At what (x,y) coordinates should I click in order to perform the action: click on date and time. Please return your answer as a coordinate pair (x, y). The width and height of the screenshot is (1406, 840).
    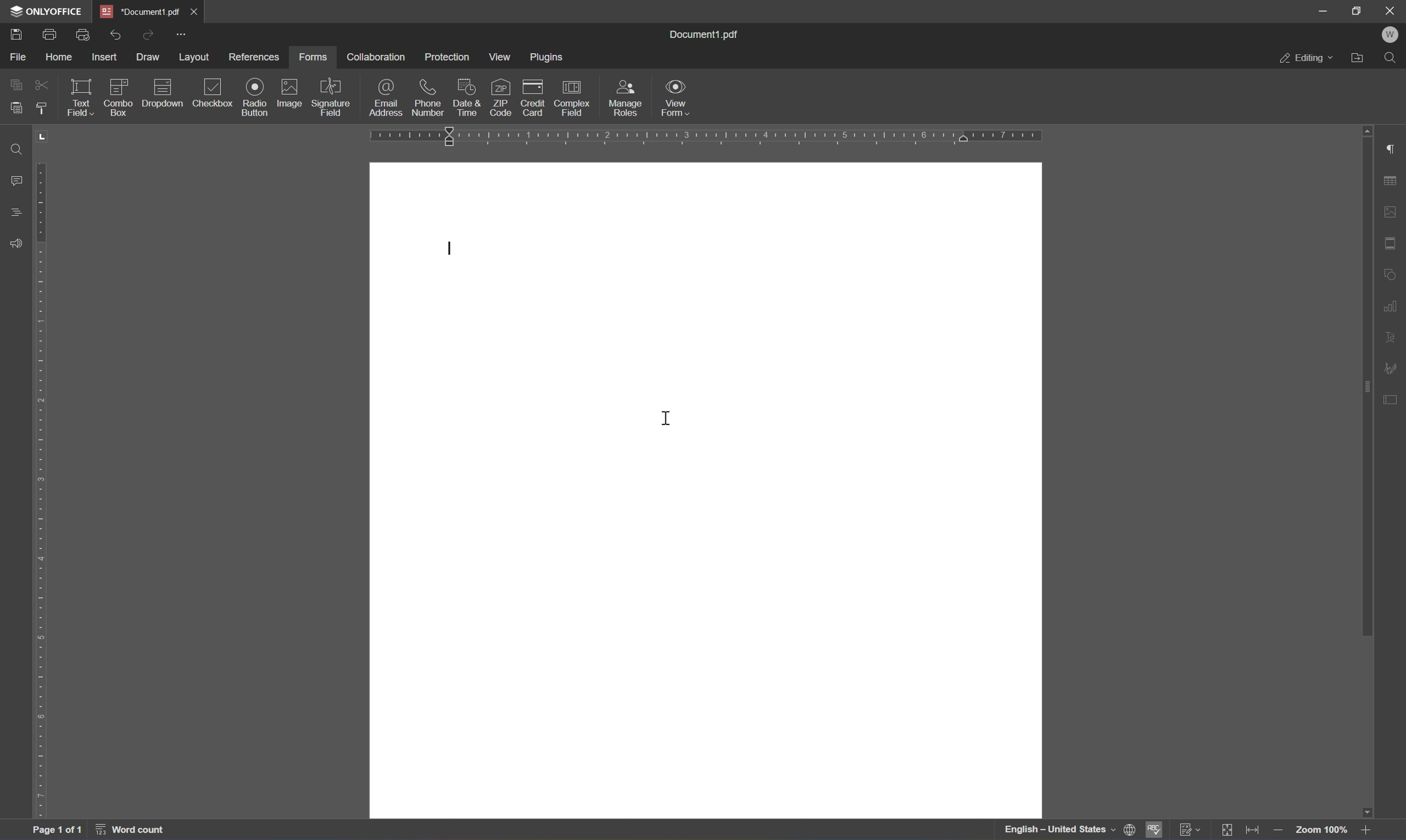
    Looking at the image, I should click on (469, 97).